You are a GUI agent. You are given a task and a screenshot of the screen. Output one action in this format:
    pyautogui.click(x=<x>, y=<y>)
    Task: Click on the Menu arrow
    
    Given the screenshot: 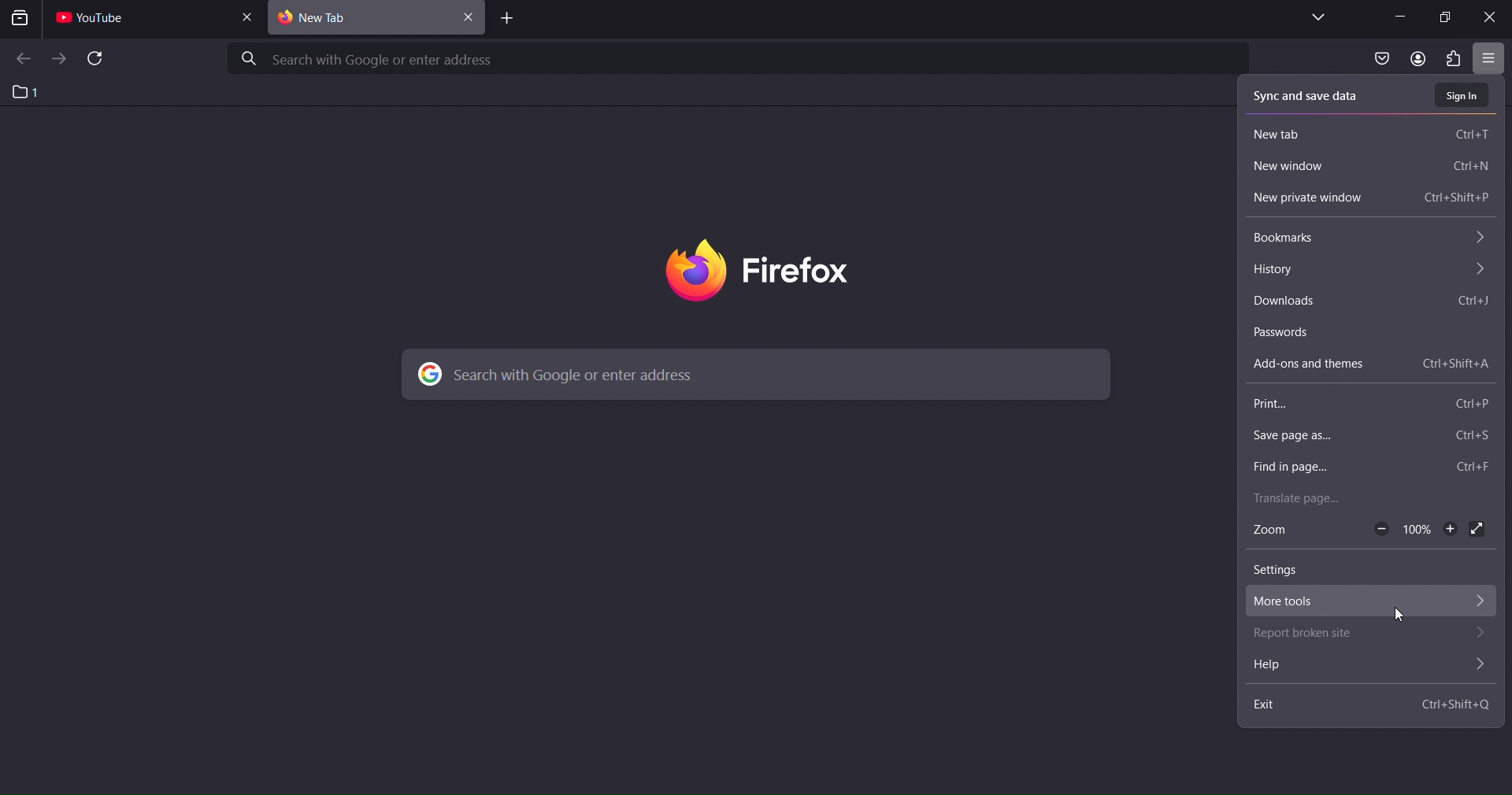 What is the action you would take?
    pyautogui.click(x=1478, y=601)
    